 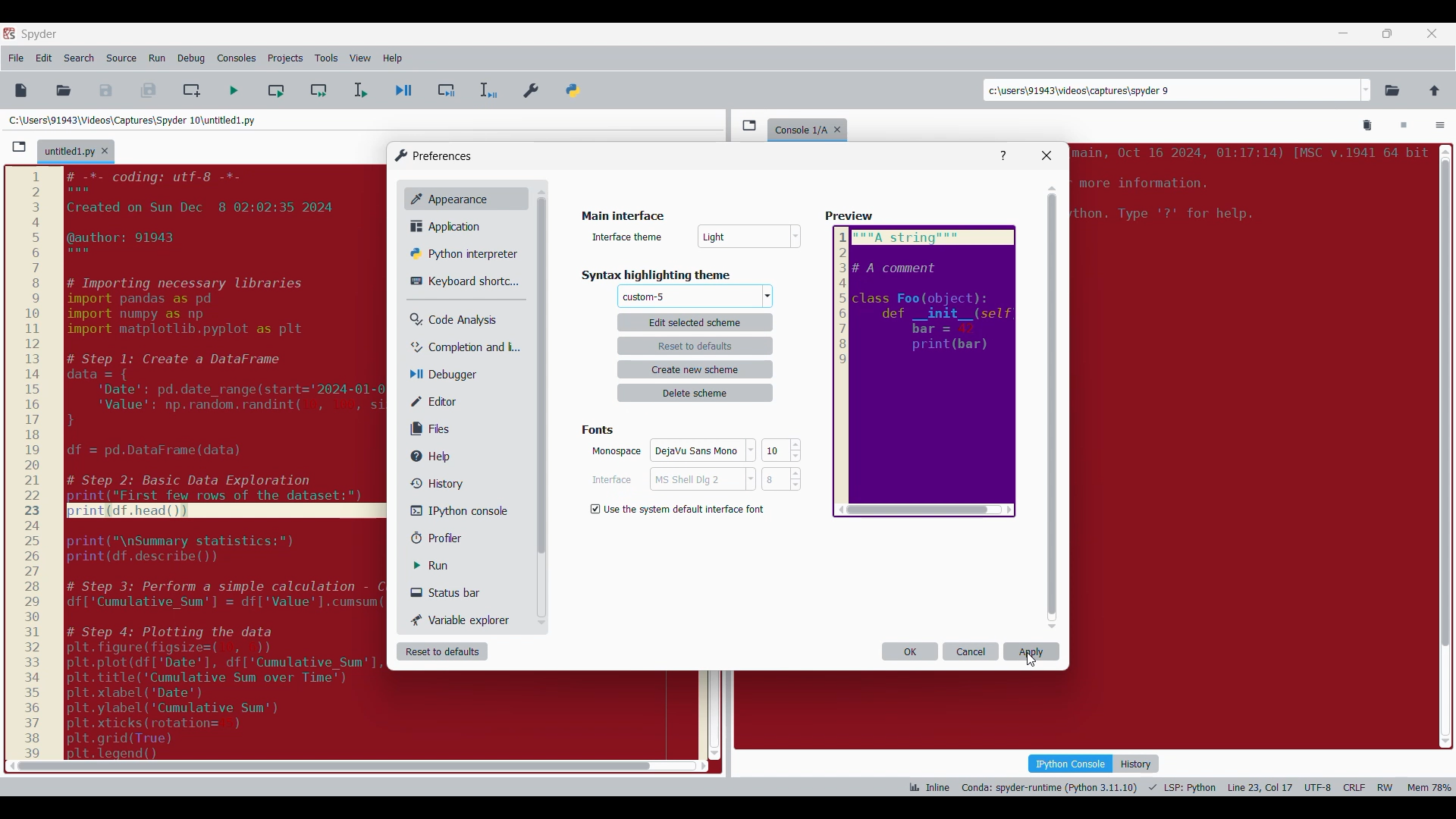 I want to click on Debugger, so click(x=450, y=375).